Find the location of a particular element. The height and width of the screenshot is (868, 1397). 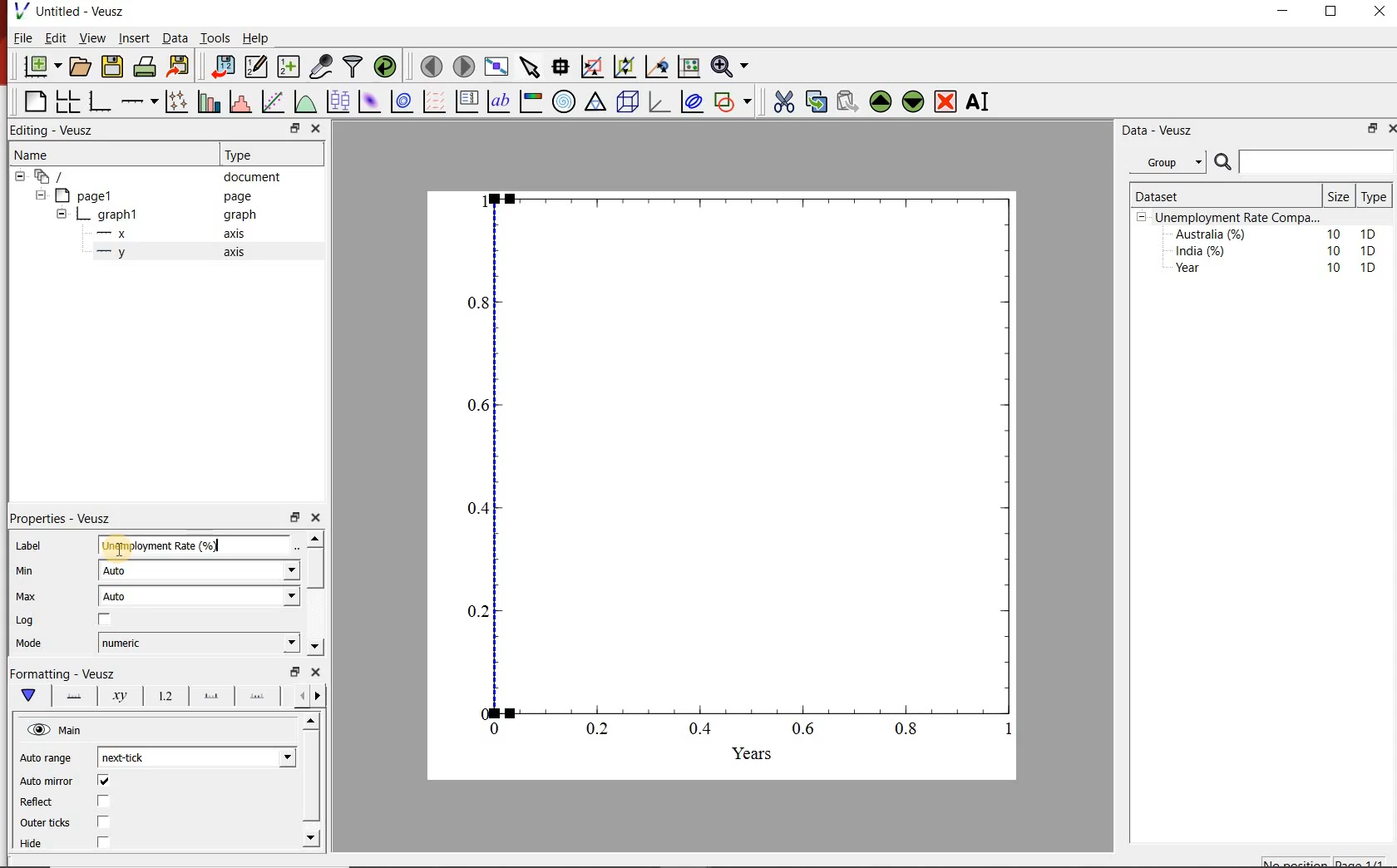

print document is located at coordinates (145, 65).